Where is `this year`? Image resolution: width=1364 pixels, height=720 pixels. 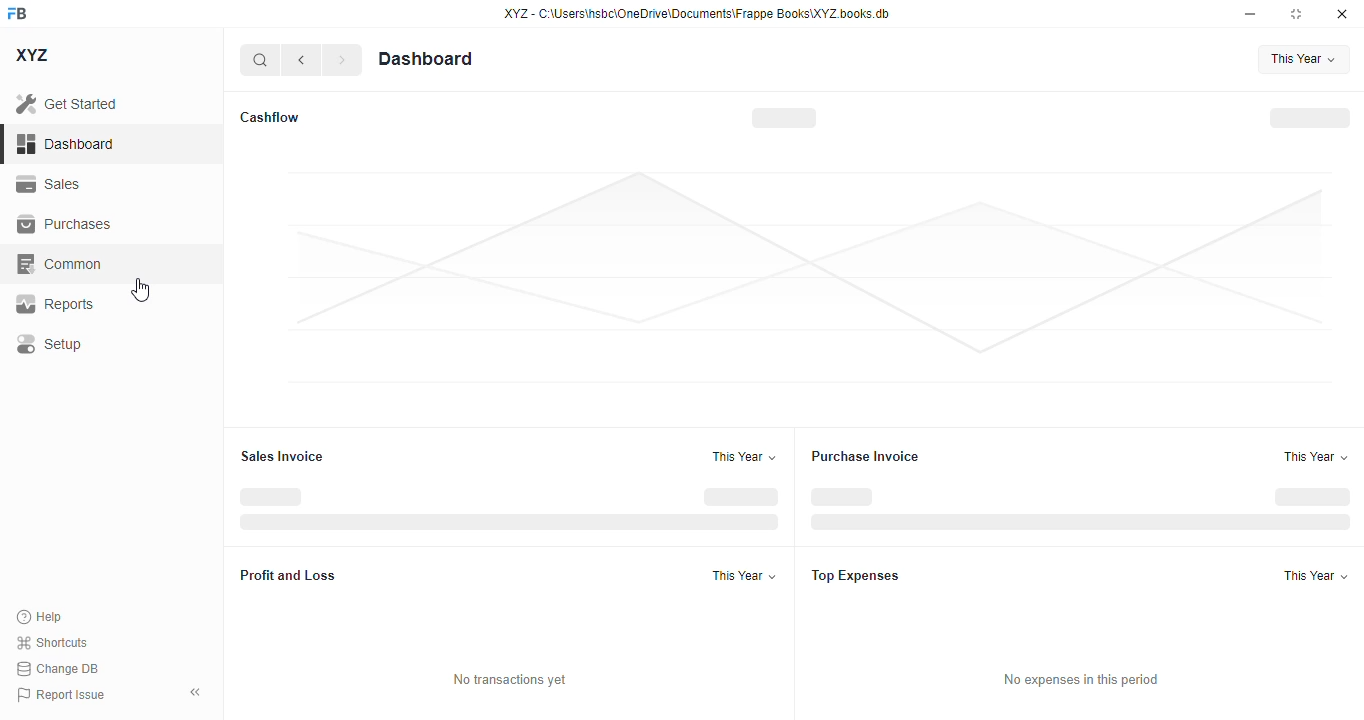
this year is located at coordinates (743, 457).